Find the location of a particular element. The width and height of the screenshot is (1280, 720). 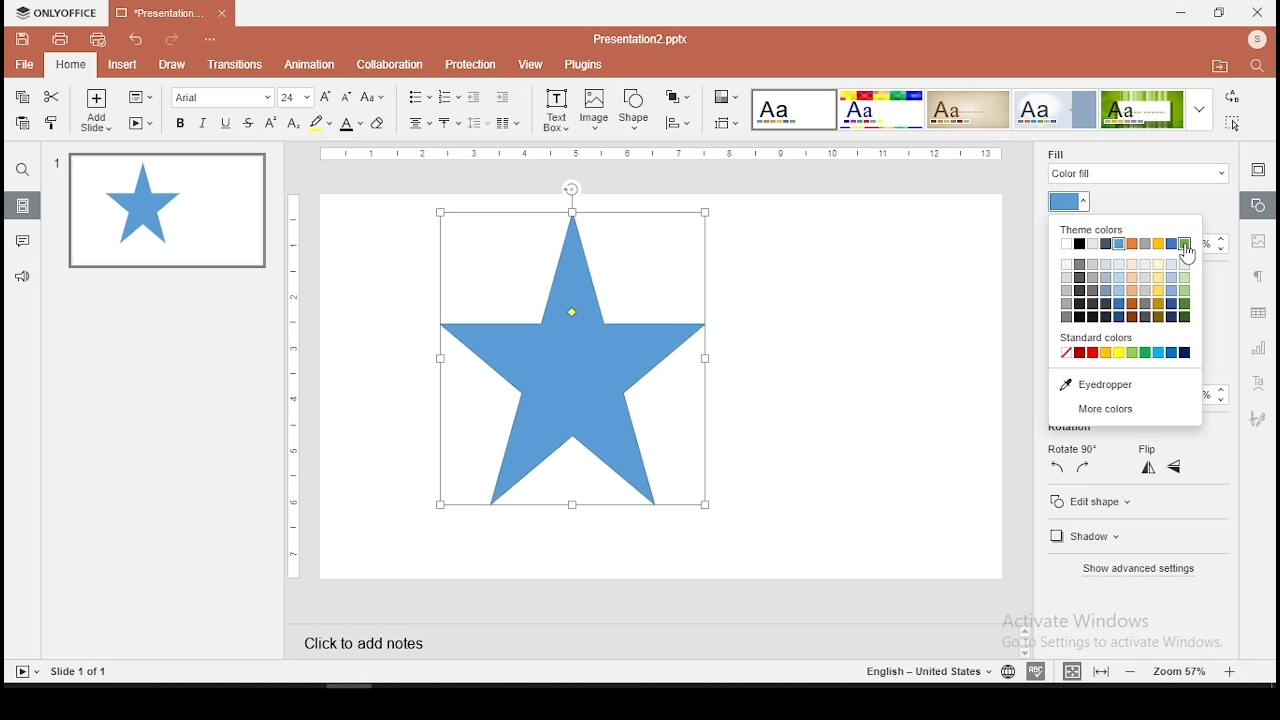

edit shape is located at coordinates (1090, 501).